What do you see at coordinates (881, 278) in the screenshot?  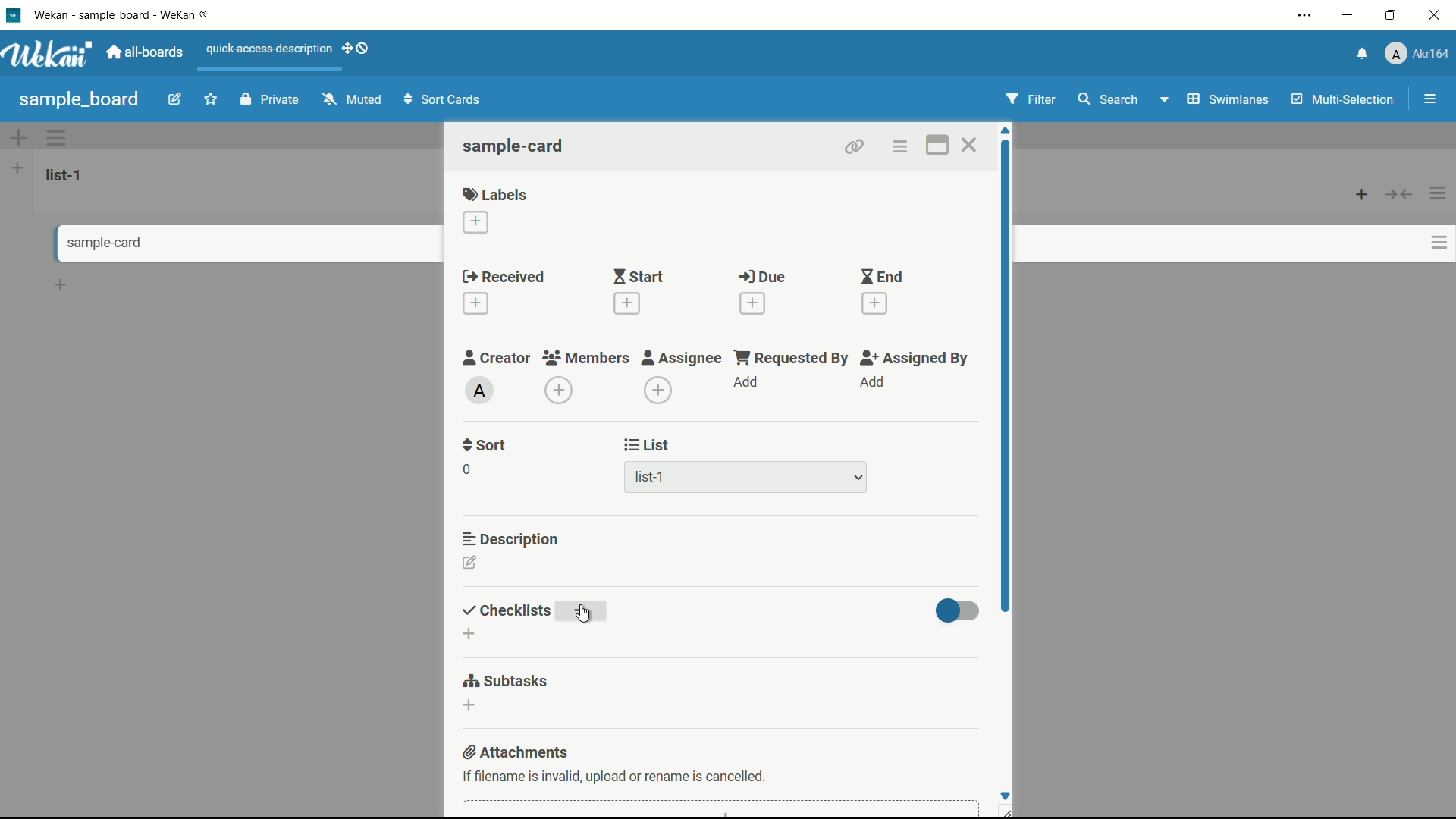 I see `end` at bounding box center [881, 278].